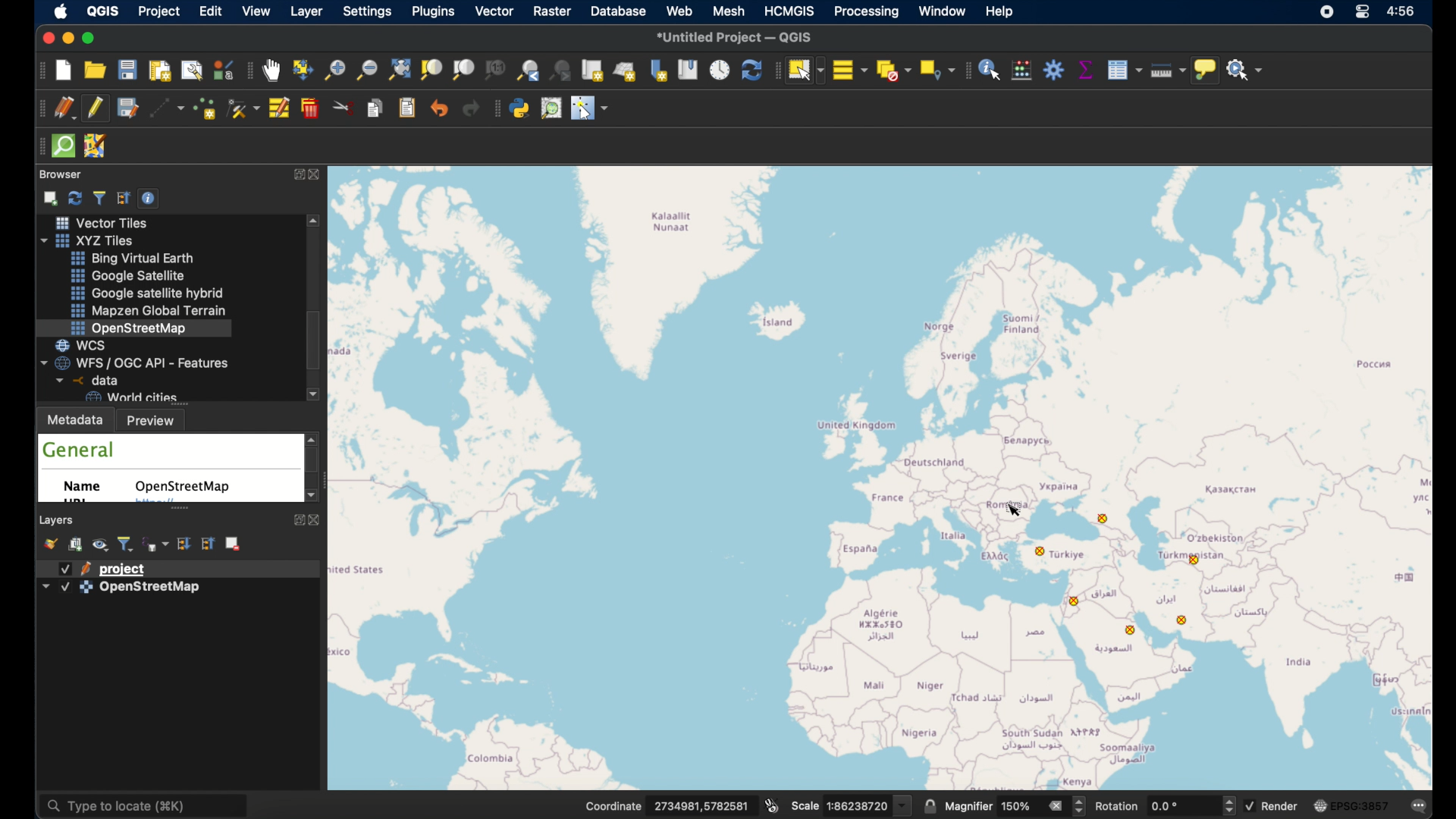 Image resolution: width=1456 pixels, height=819 pixels. Describe the element at coordinates (903, 805) in the screenshot. I see `dropdown` at that location.